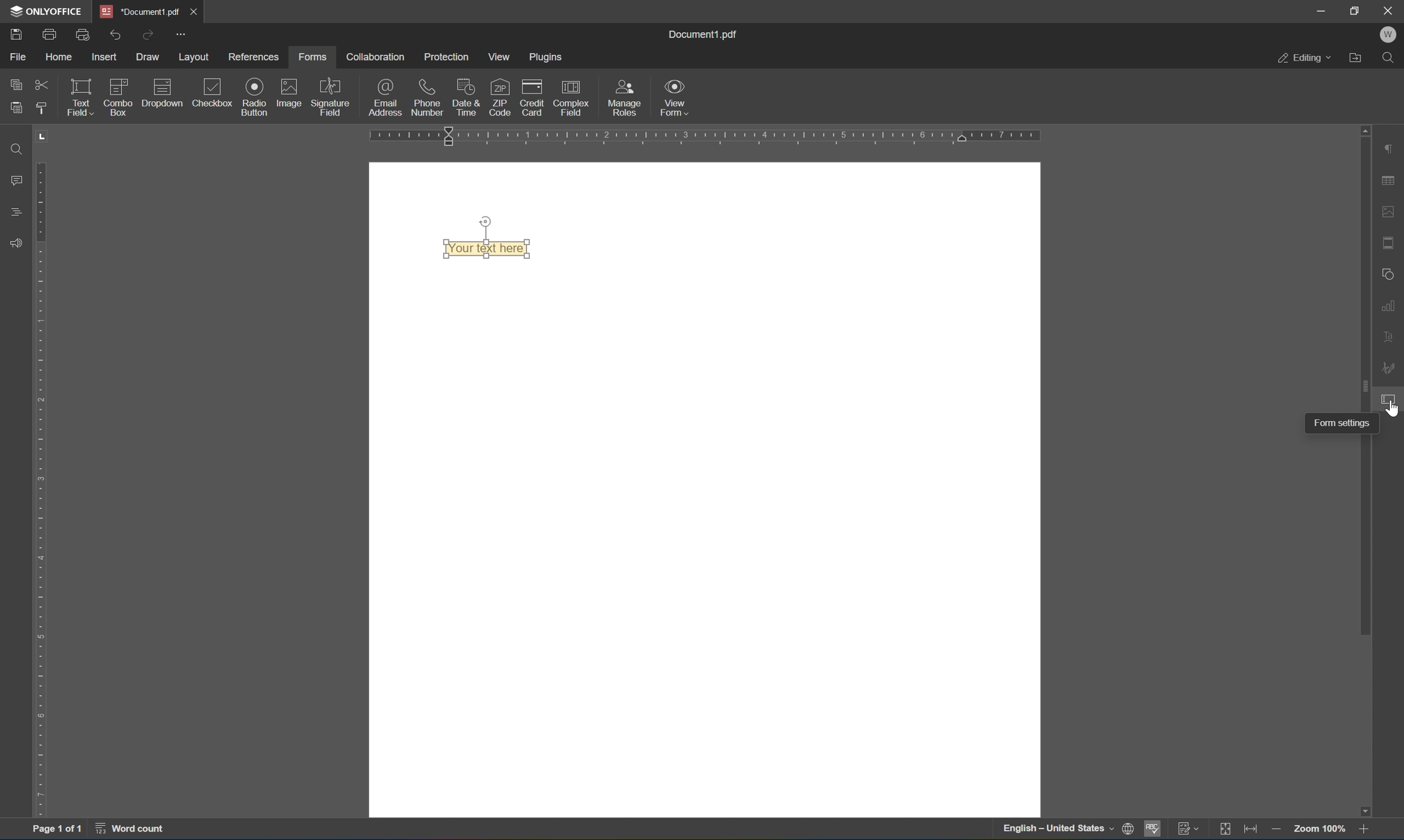  I want to click on comments, so click(16, 180).